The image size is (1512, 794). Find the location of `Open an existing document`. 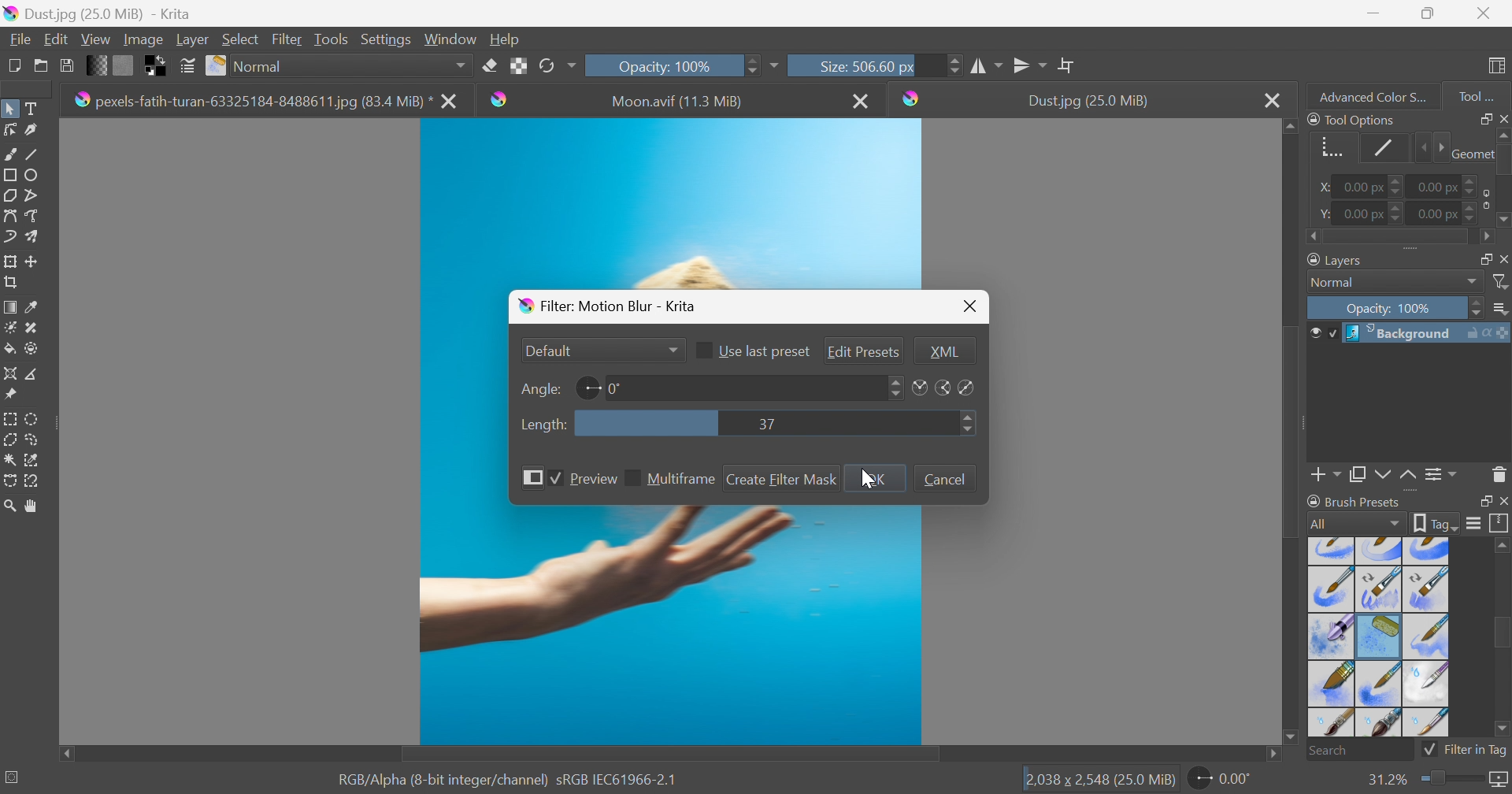

Open an existing document is located at coordinates (42, 66).